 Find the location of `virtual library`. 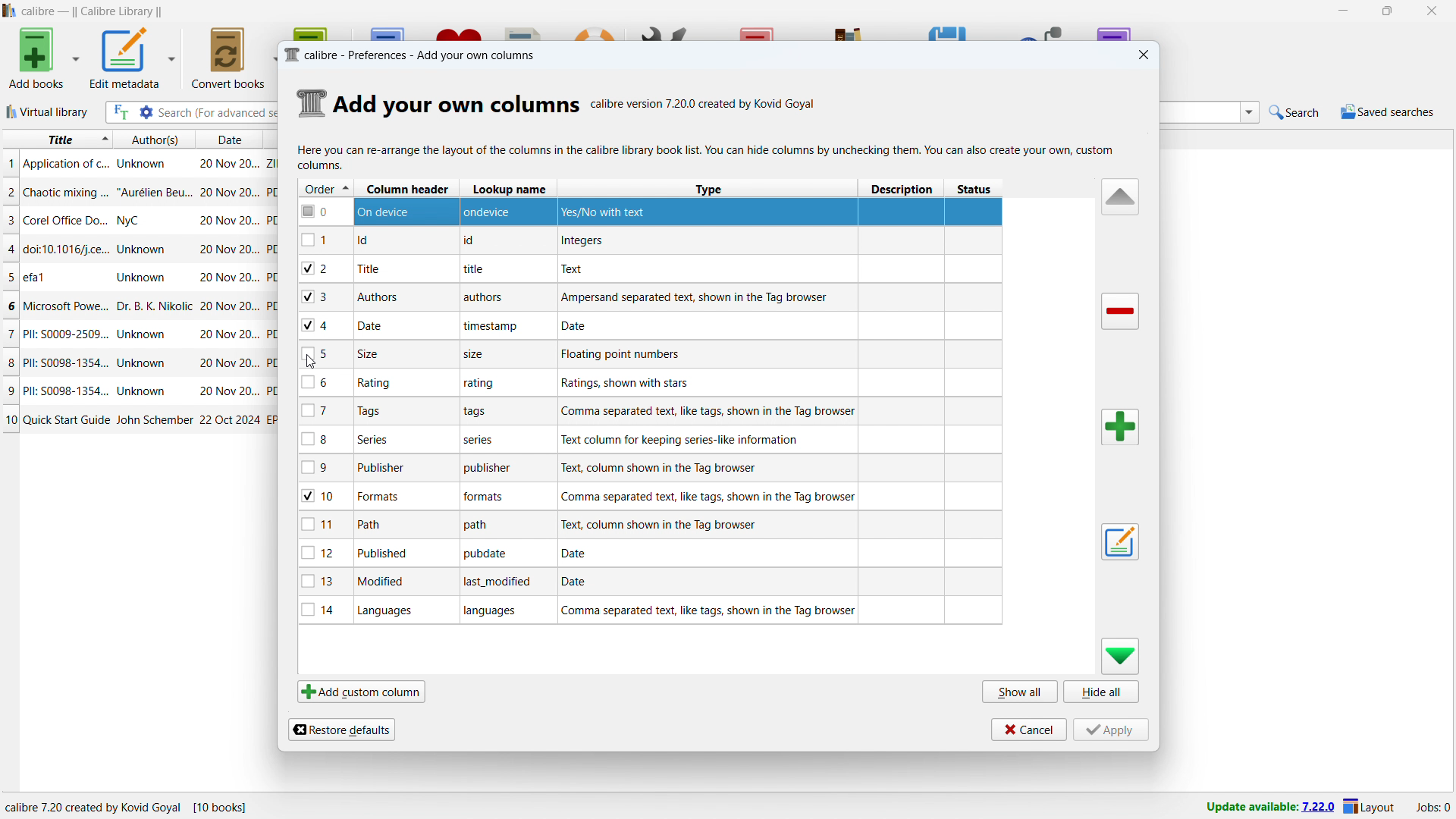

virtual library is located at coordinates (48, 112).